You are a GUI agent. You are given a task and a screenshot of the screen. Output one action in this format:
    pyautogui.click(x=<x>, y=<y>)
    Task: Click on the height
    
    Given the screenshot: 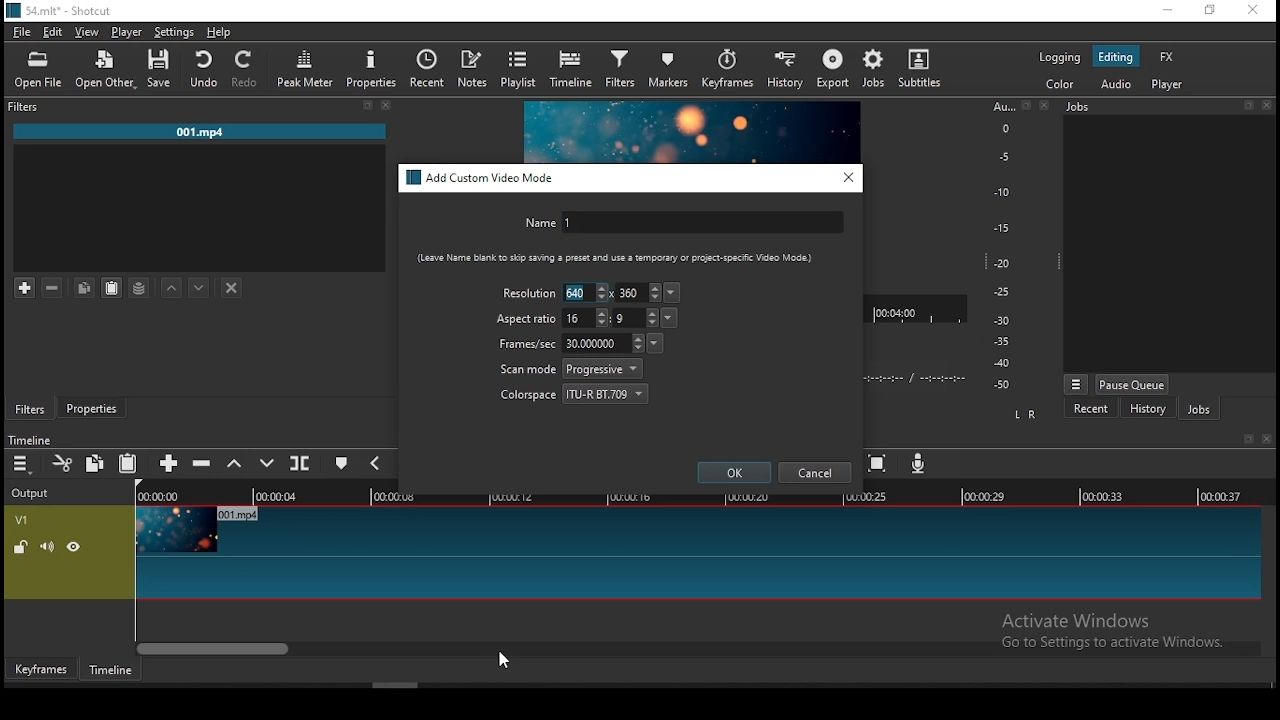 What is the action you would take?
    pyautogui.click(x=639, y=292)
    